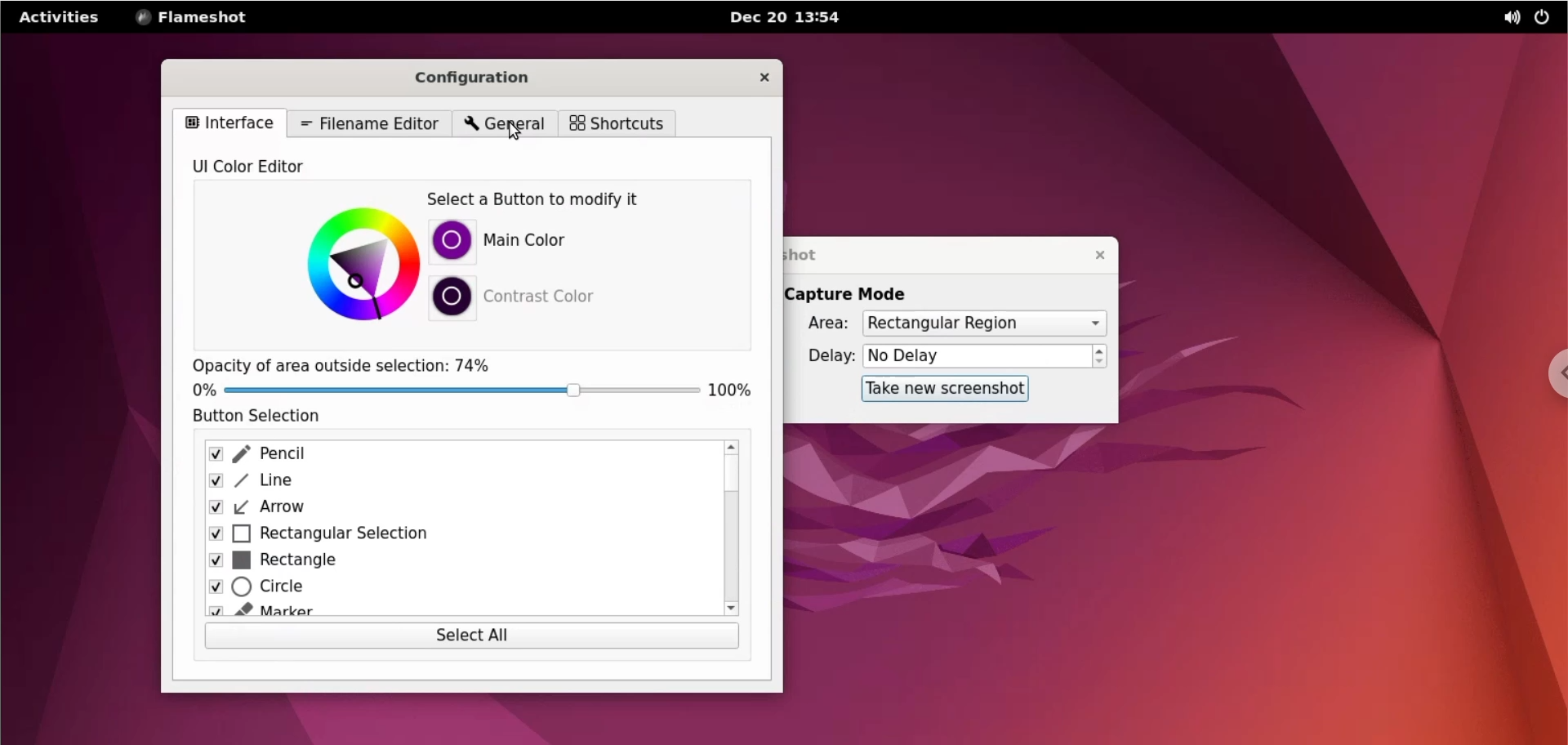  I want to click on opacity of area outside selection: 74%, so click(357, 366).